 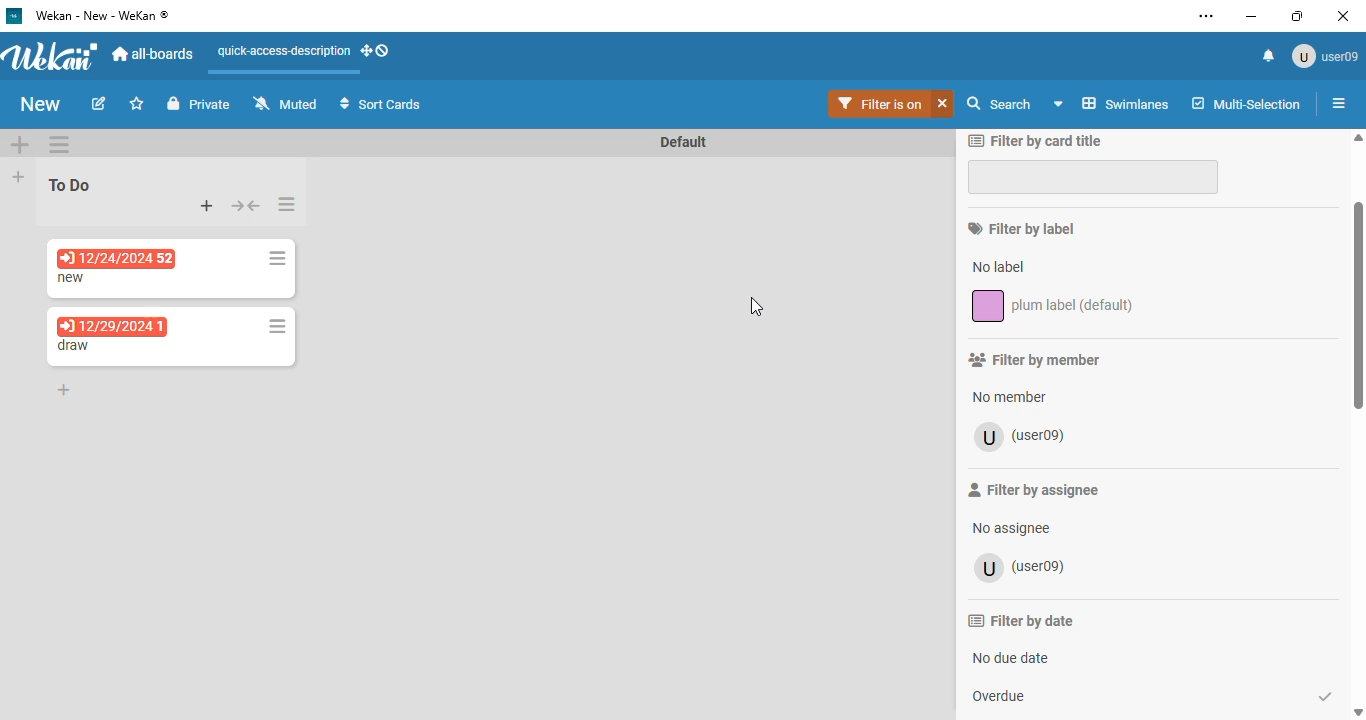 What do you see at coordinates (1338, 103) in the screenshot?
I see `open sidebar or close sidebar` at bounding box center [1338, 103].